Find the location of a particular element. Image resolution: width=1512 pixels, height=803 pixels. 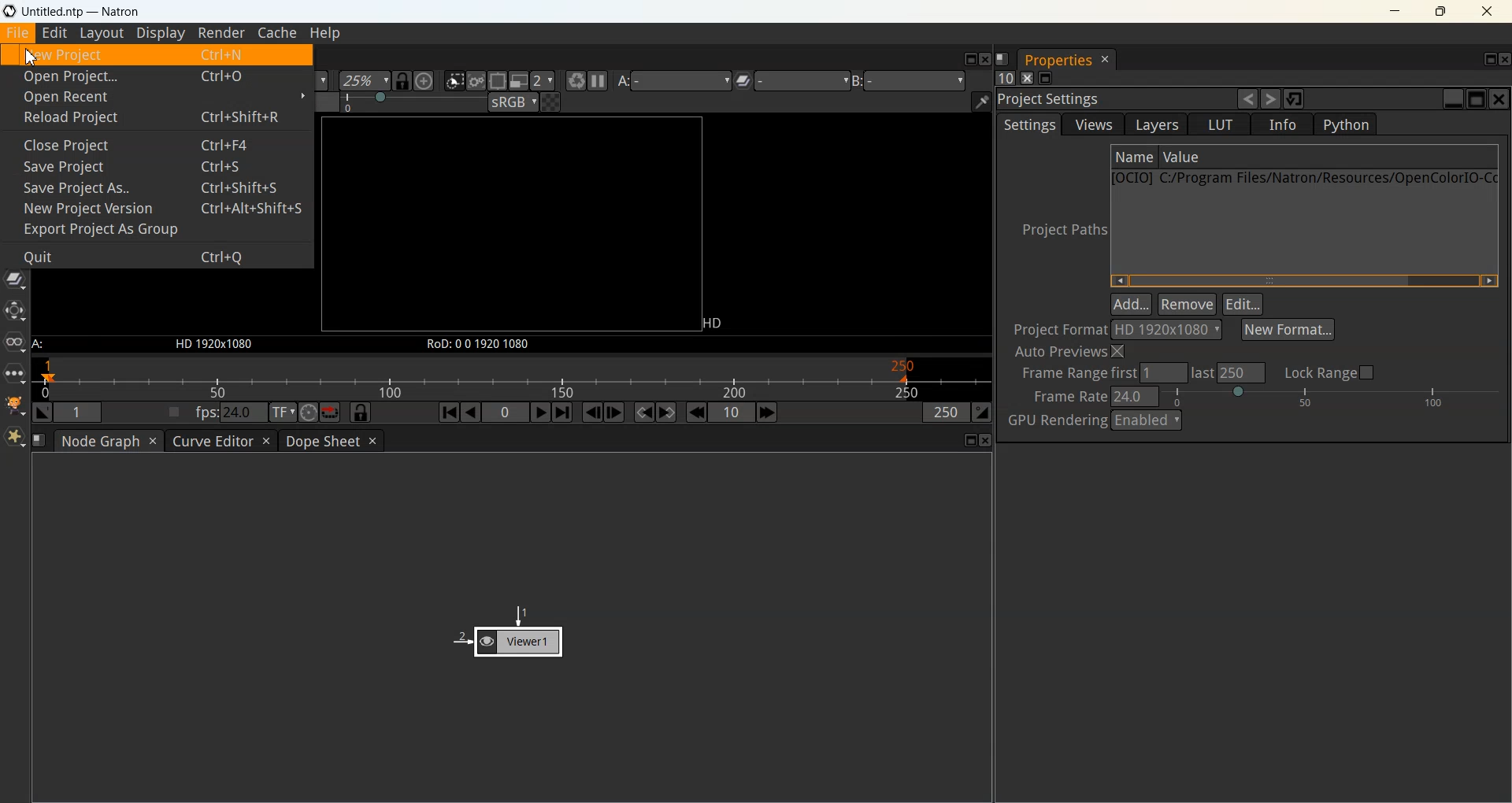

Close is located at coordinates (1503, 61).